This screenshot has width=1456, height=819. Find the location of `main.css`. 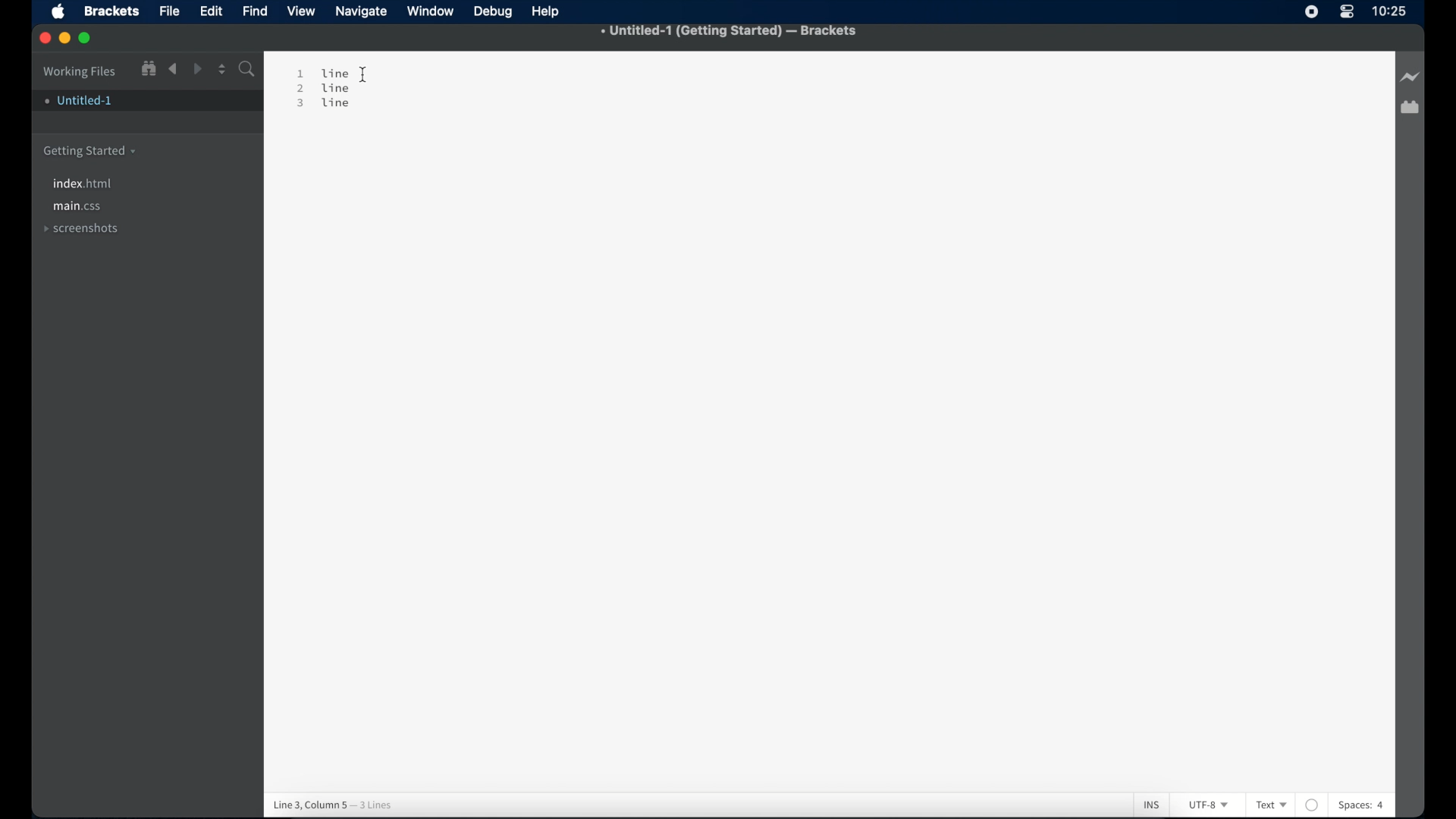

main.css is located at coordinates (78, 207).